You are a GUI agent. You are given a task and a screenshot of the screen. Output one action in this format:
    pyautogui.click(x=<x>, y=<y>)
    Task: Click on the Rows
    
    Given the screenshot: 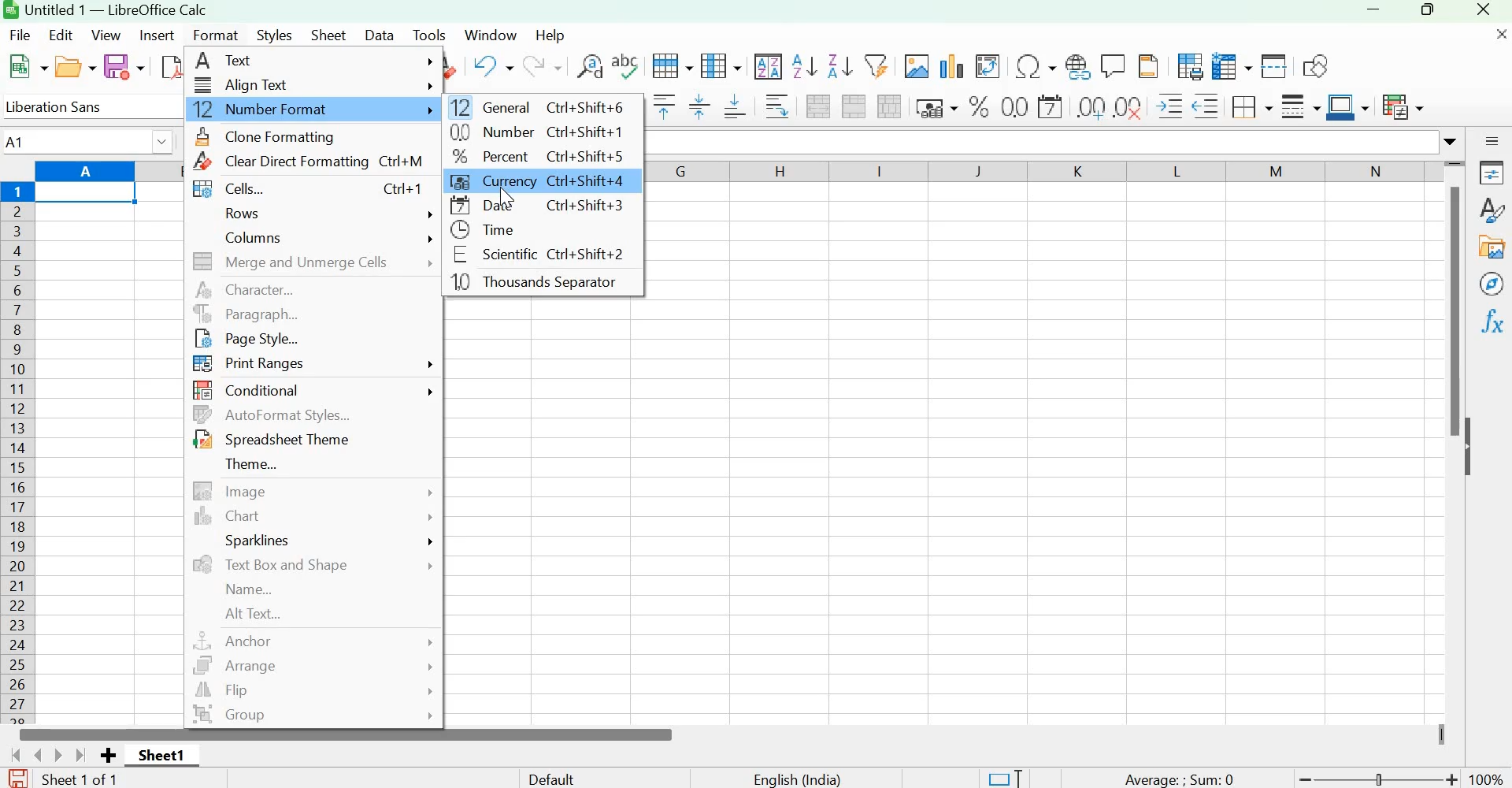 What is the action you would take?
    pyautogui.click(x=327, y=216)
    